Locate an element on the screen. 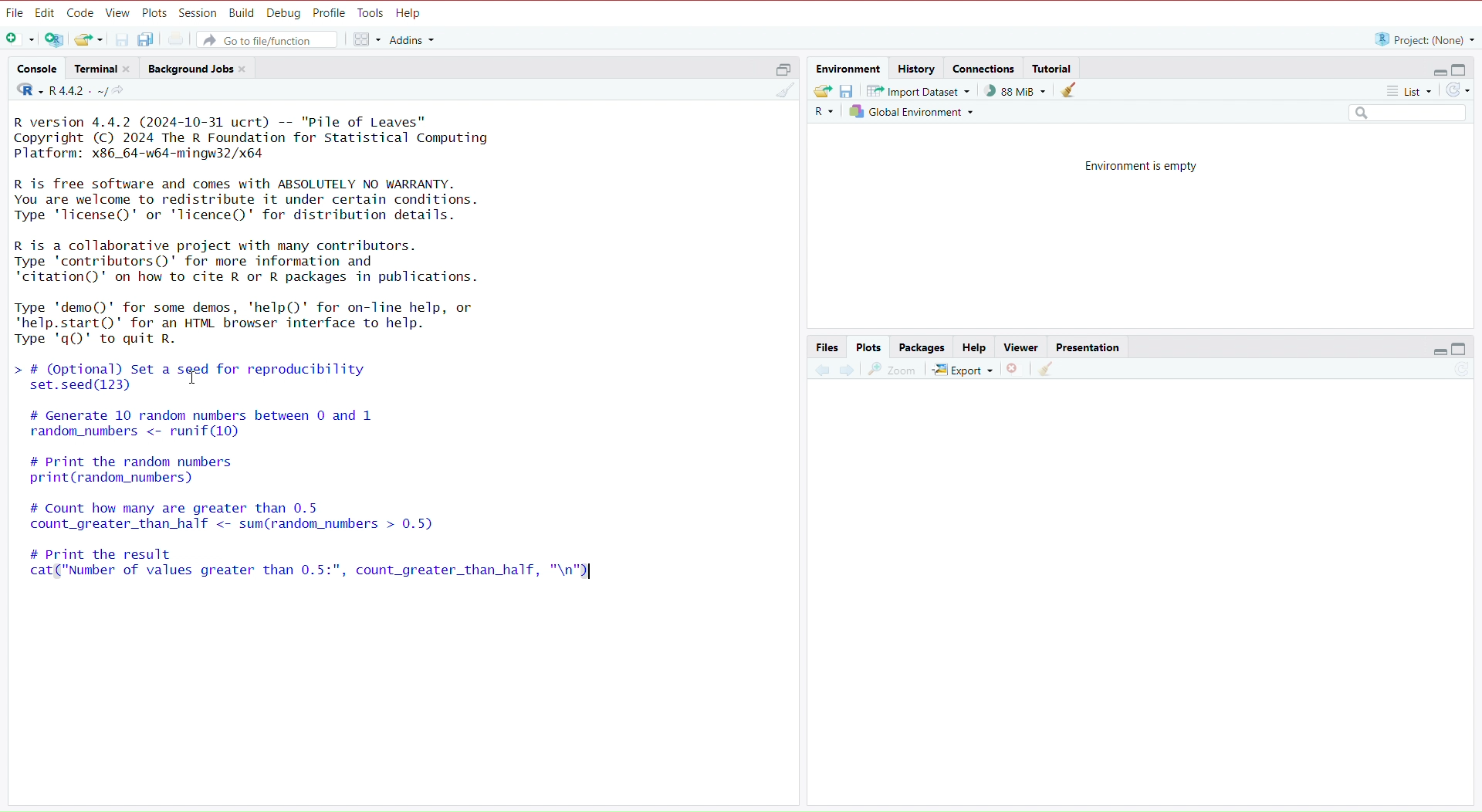 The image size is (1482, 812). Addins is located at coordinates (411, 41).